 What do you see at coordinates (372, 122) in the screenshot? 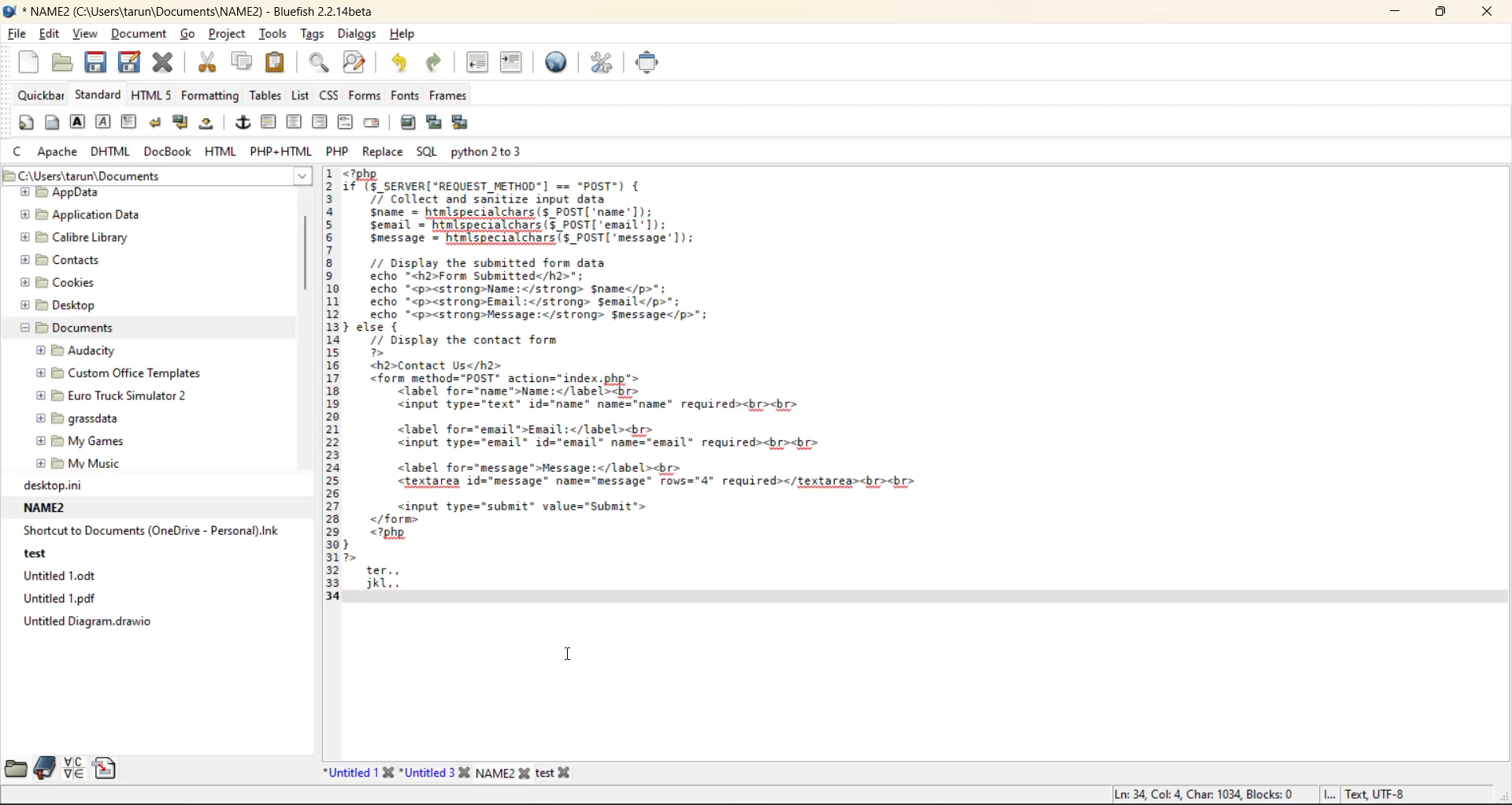
I see `email` at bounding box center [372, 122].